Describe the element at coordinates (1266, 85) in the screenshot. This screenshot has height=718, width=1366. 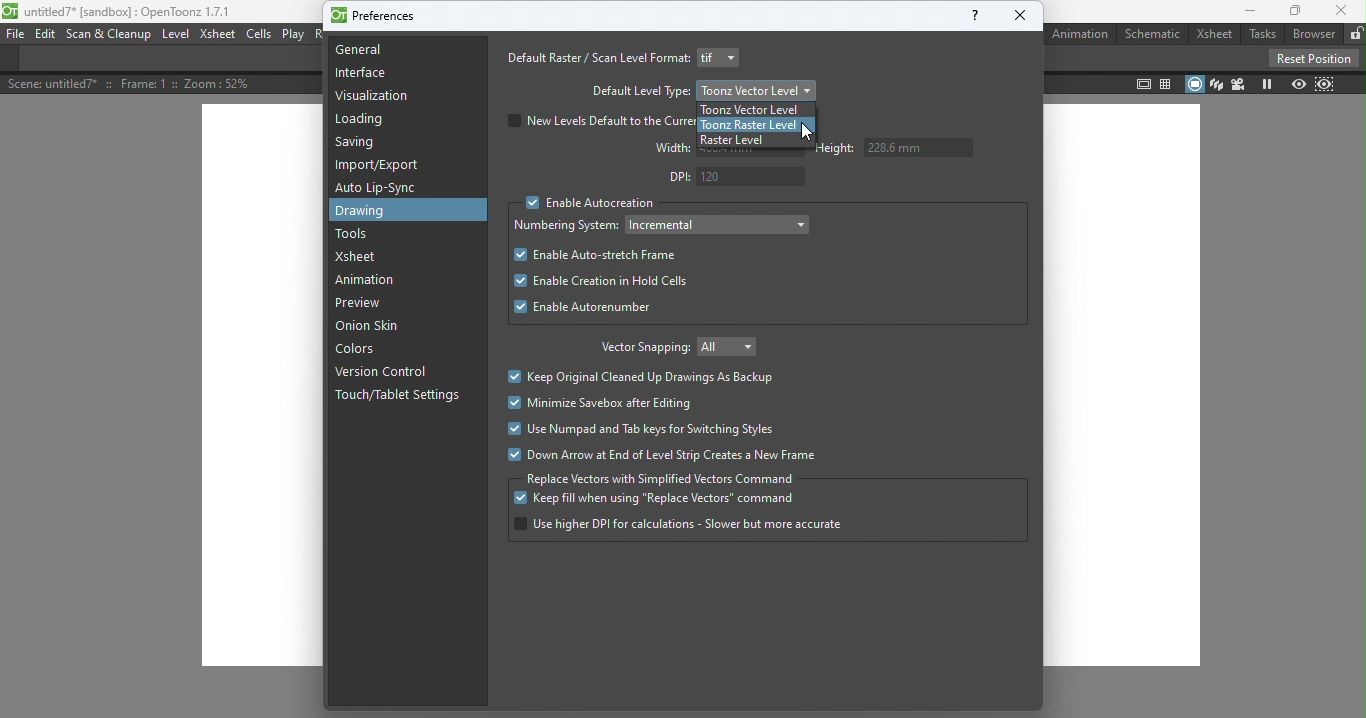
I see `Freeze` at that location.